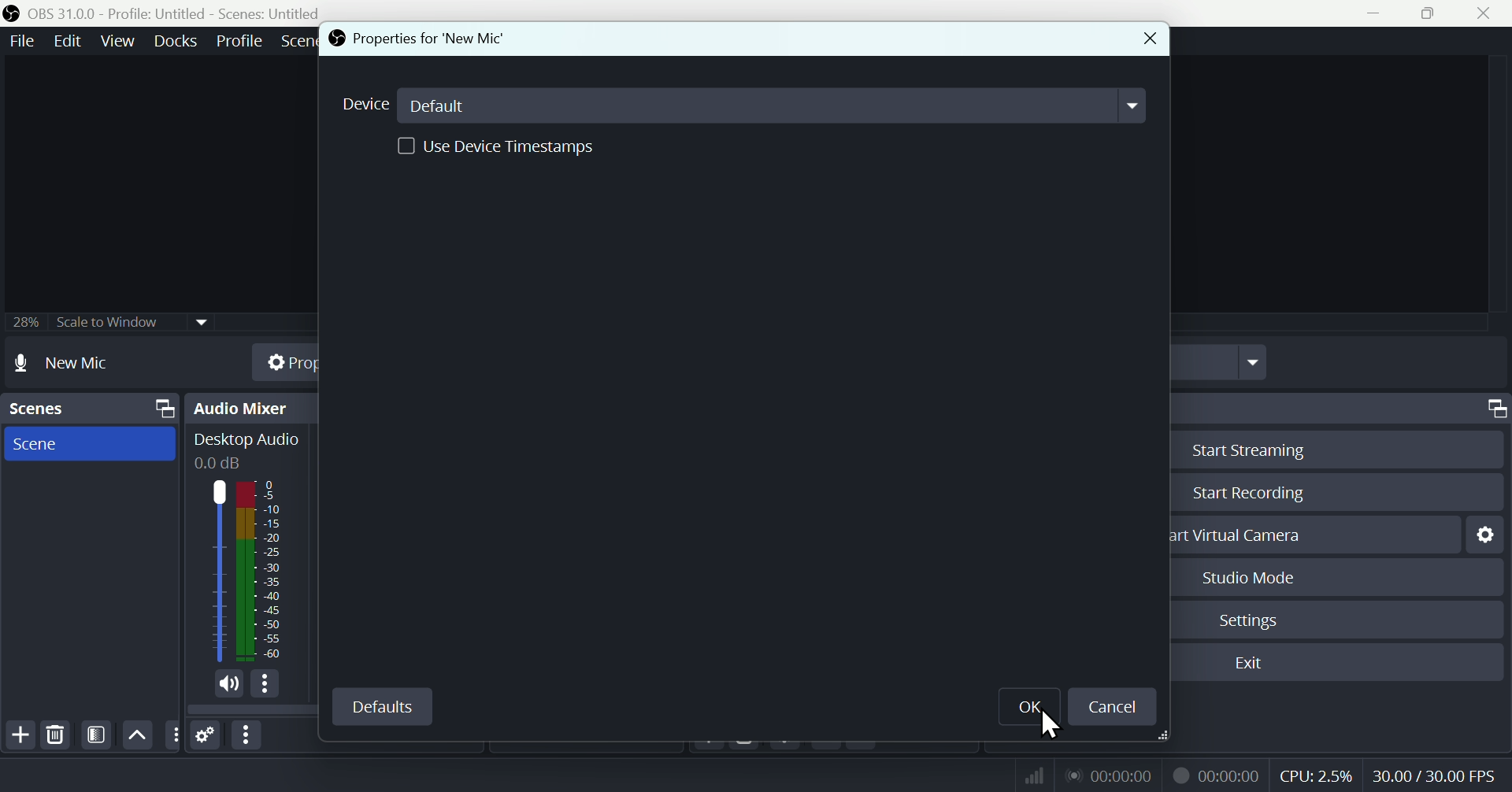  I want to click on Studio mode, so click(1250, 577).